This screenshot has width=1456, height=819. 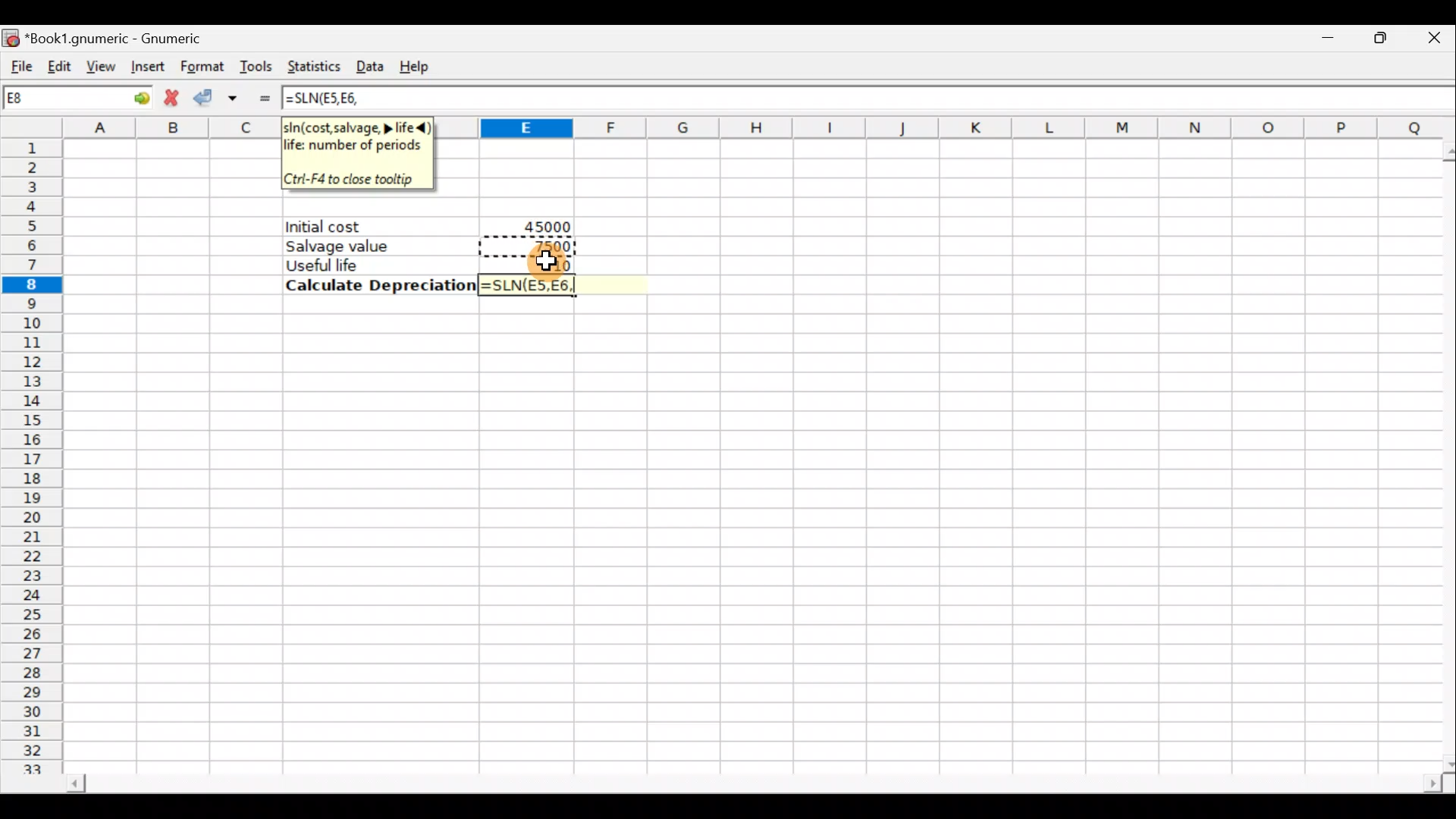 I want to click on Cursor hovering on cell E7, so click(x=551, y=264).